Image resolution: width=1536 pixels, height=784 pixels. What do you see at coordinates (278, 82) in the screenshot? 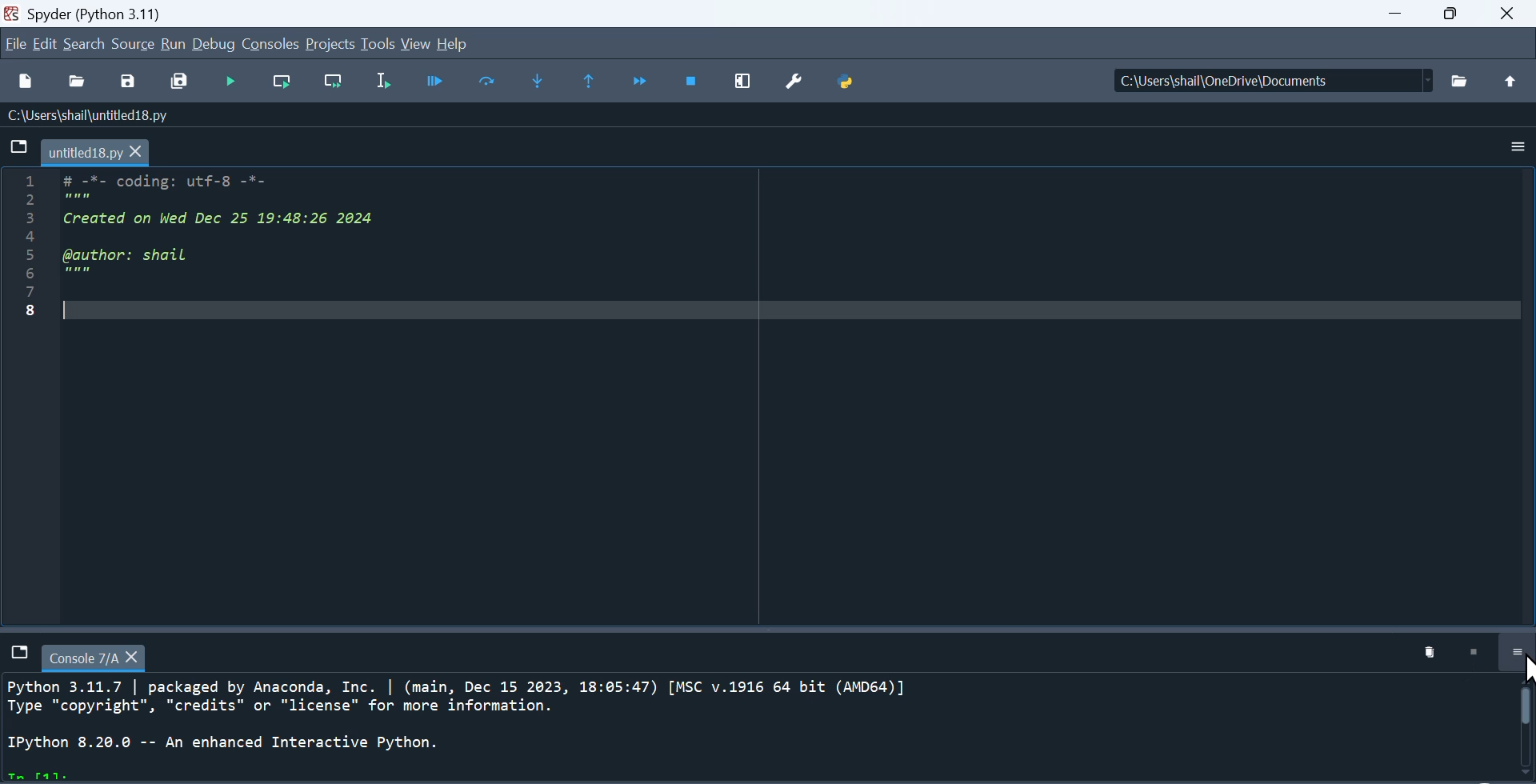
I see `run current cell` at bounding box center [278, 82].